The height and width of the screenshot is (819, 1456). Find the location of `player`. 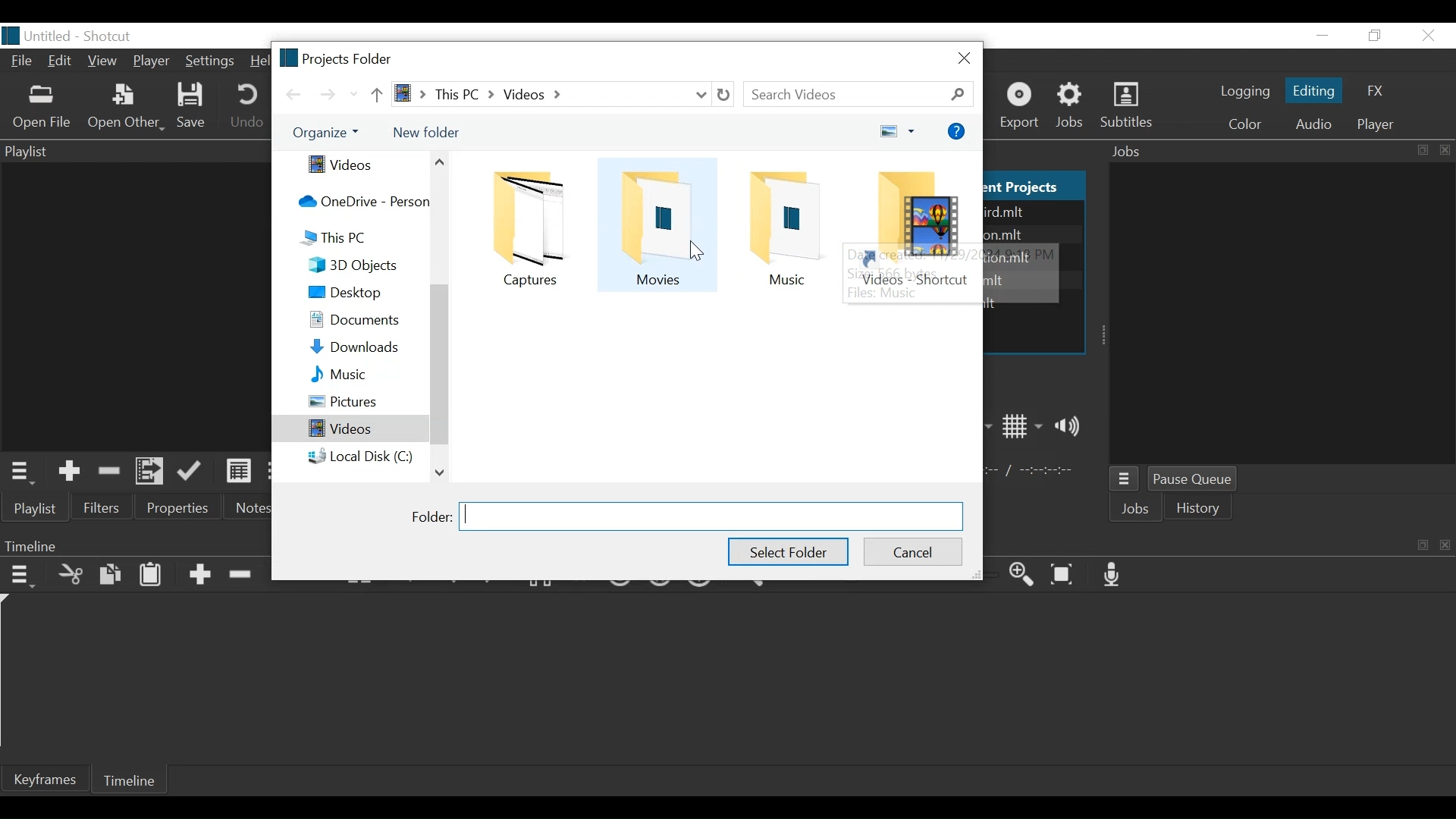

player is located at coordinates (1373, 124).